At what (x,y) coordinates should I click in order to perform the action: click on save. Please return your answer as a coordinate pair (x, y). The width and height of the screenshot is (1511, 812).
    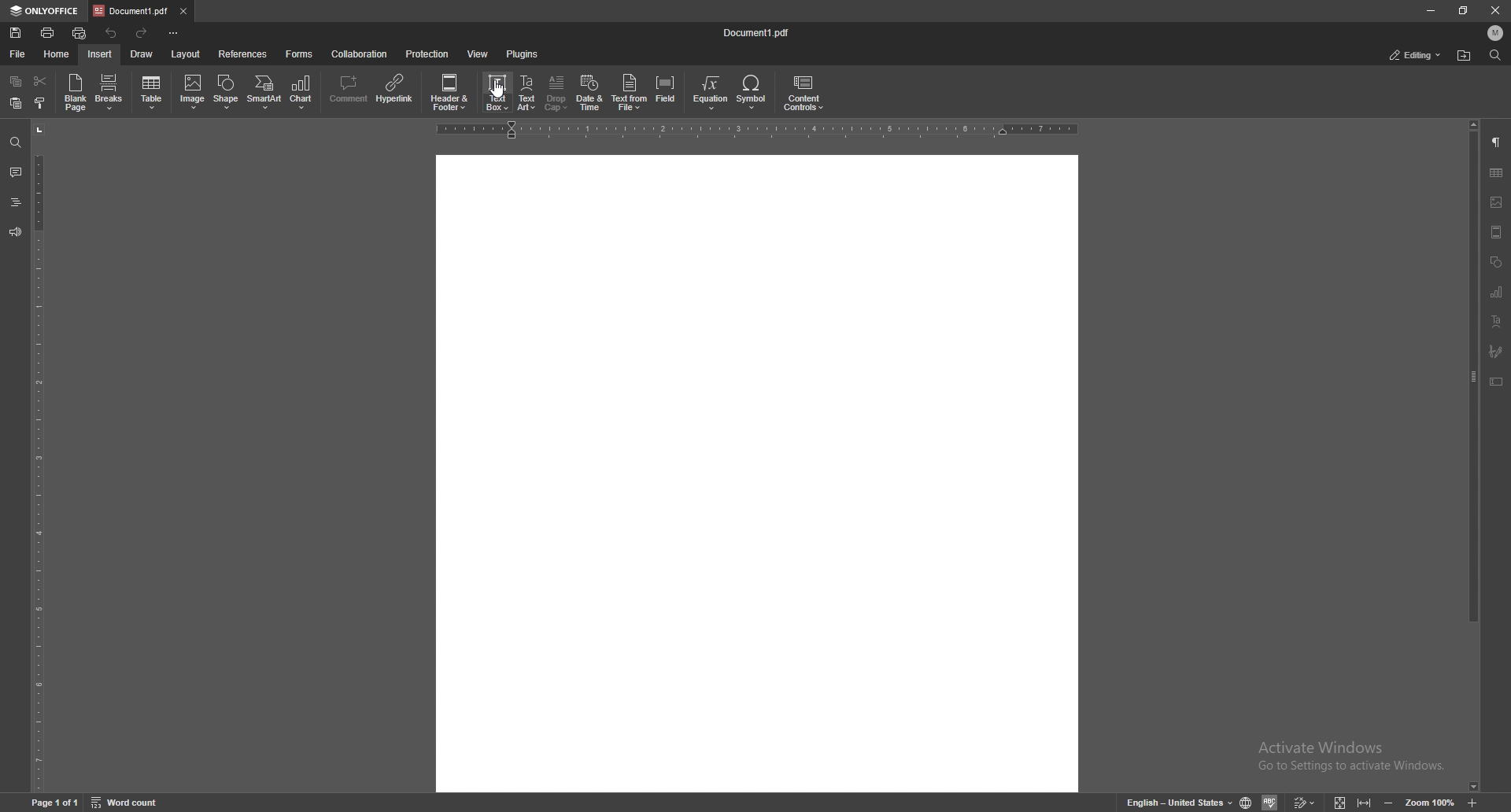
    Looking at the image, I should click on (15, 33).